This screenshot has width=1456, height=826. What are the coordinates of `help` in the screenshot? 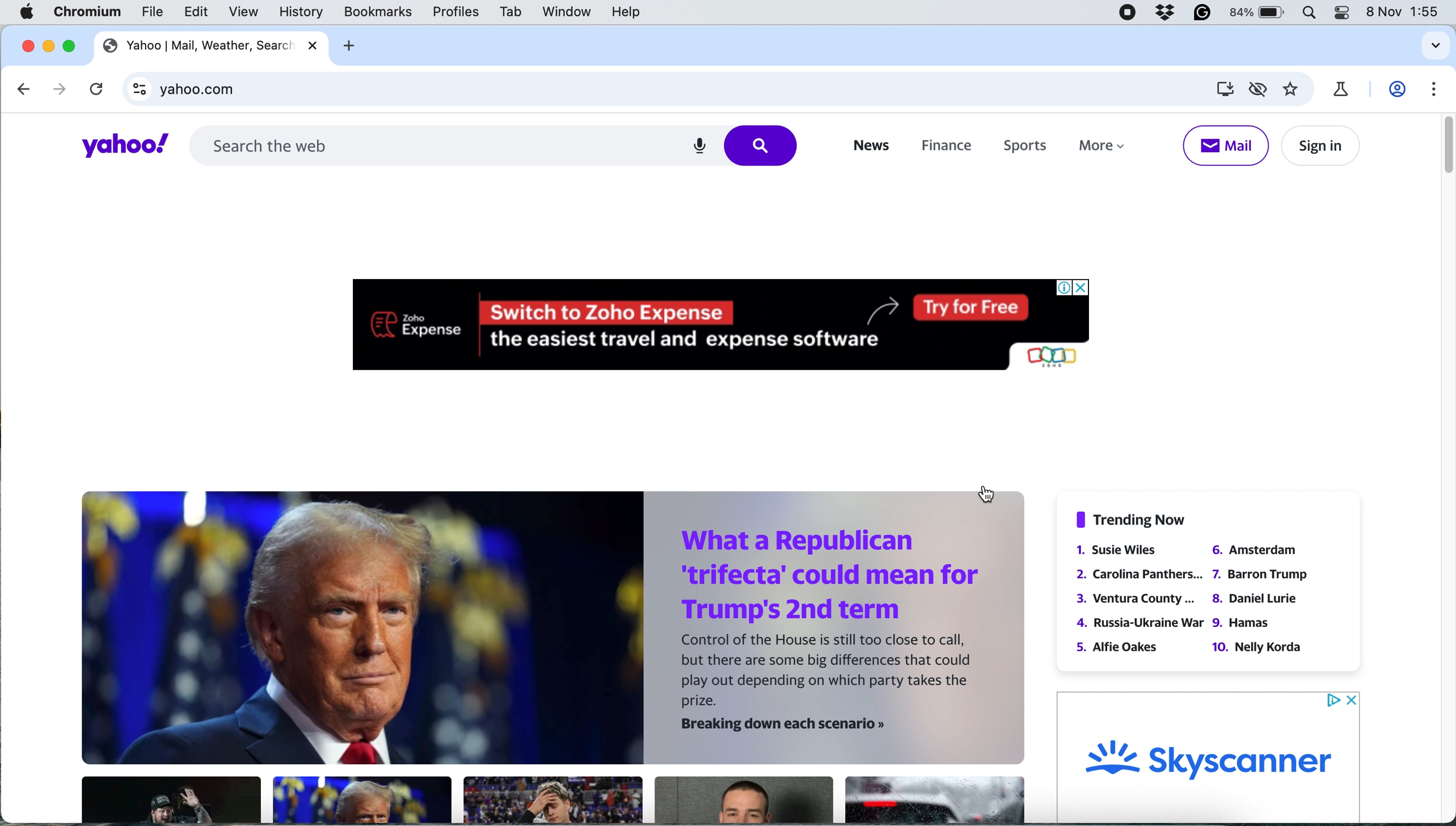 It's located at (623, 12).